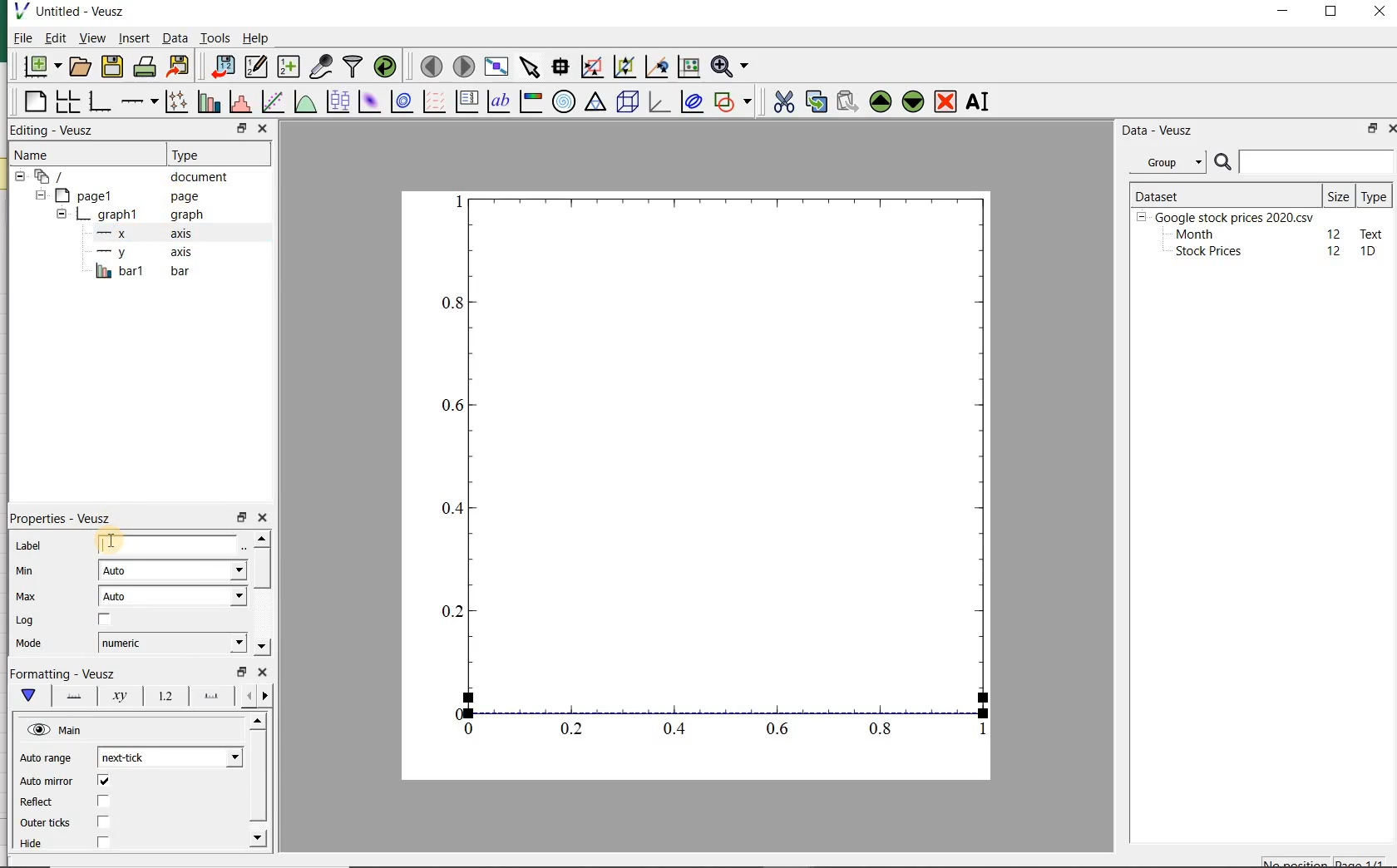  What do you see at coordinates (173, 596) in the screenshot?
I see `Auto` at bounding box center [173, 596].